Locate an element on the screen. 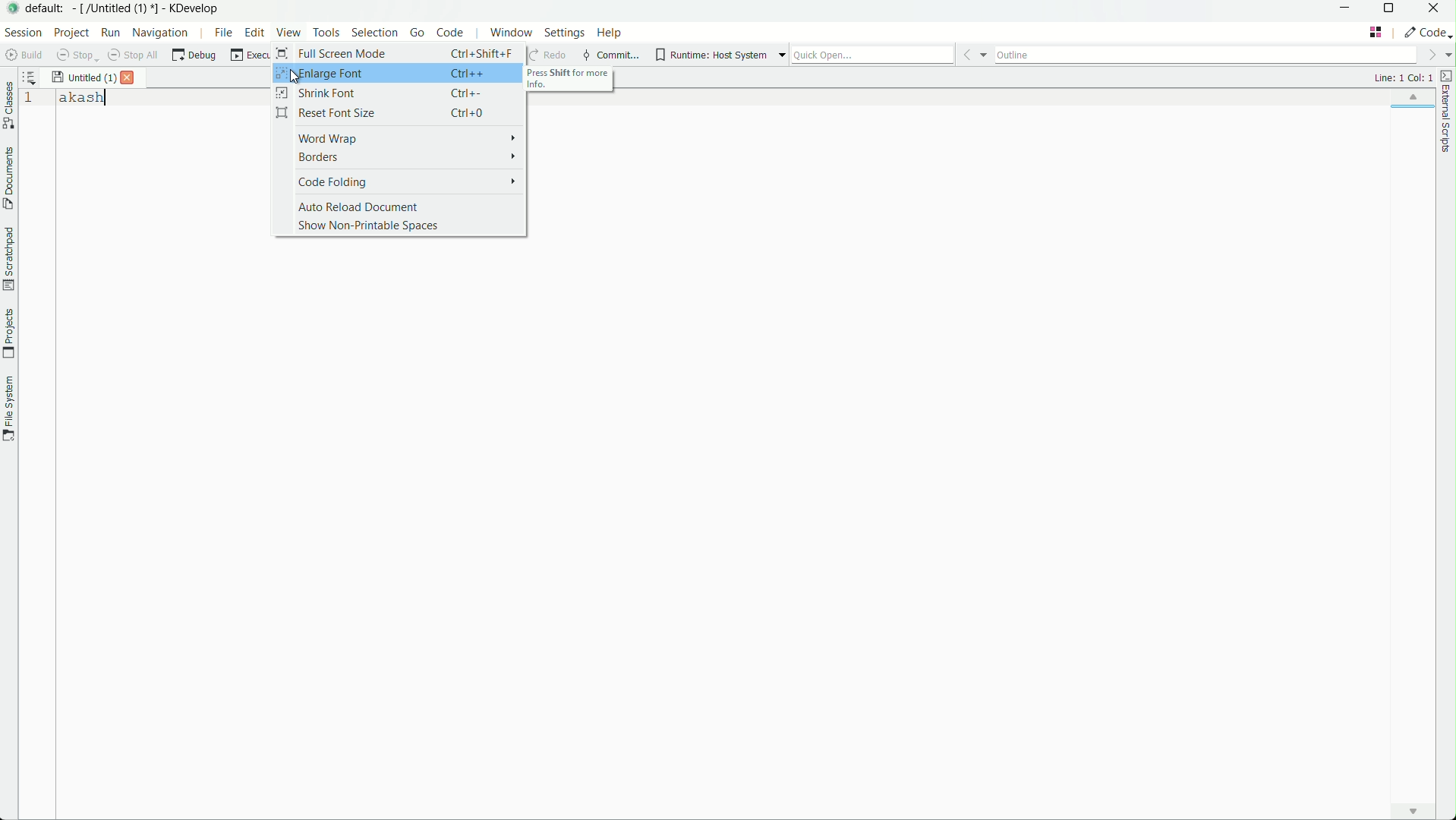 The height and width of the screenshot is (820, 1456). document is located at coordinates (9, 179).